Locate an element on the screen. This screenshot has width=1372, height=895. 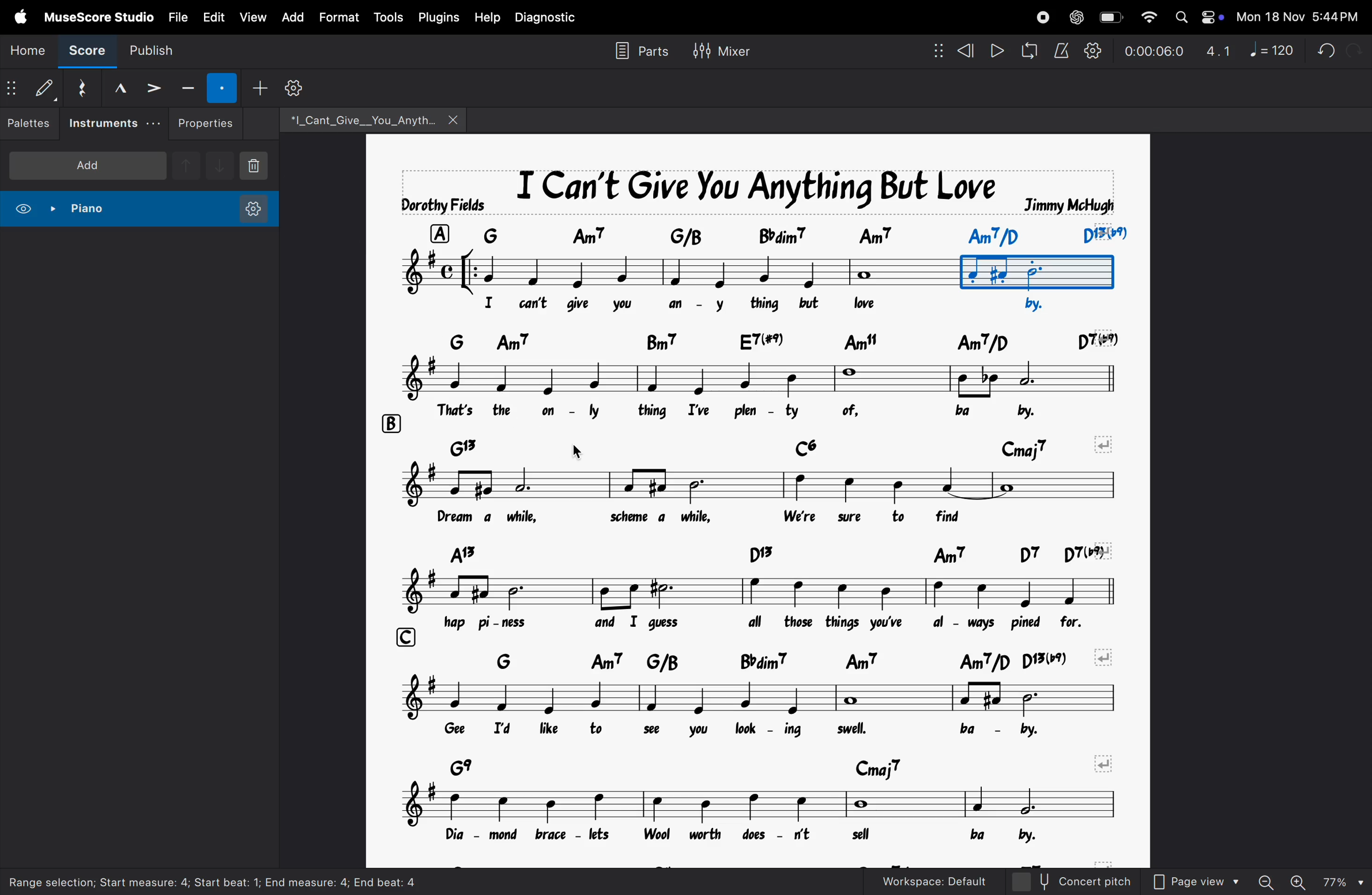
lyrics is located at coordinates (773, 304).